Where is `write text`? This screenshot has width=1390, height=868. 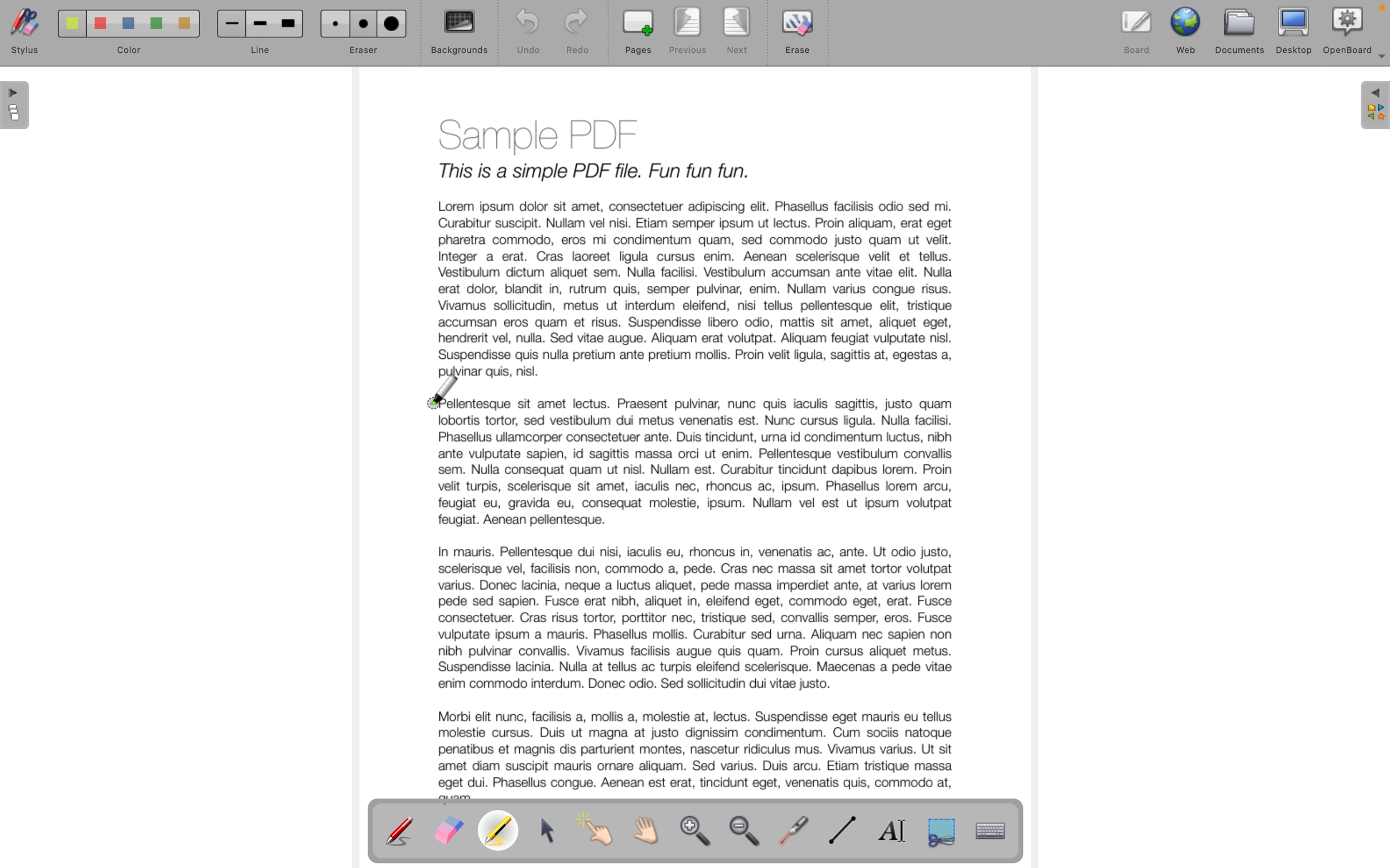
write text is located at coordinates (897, 831).